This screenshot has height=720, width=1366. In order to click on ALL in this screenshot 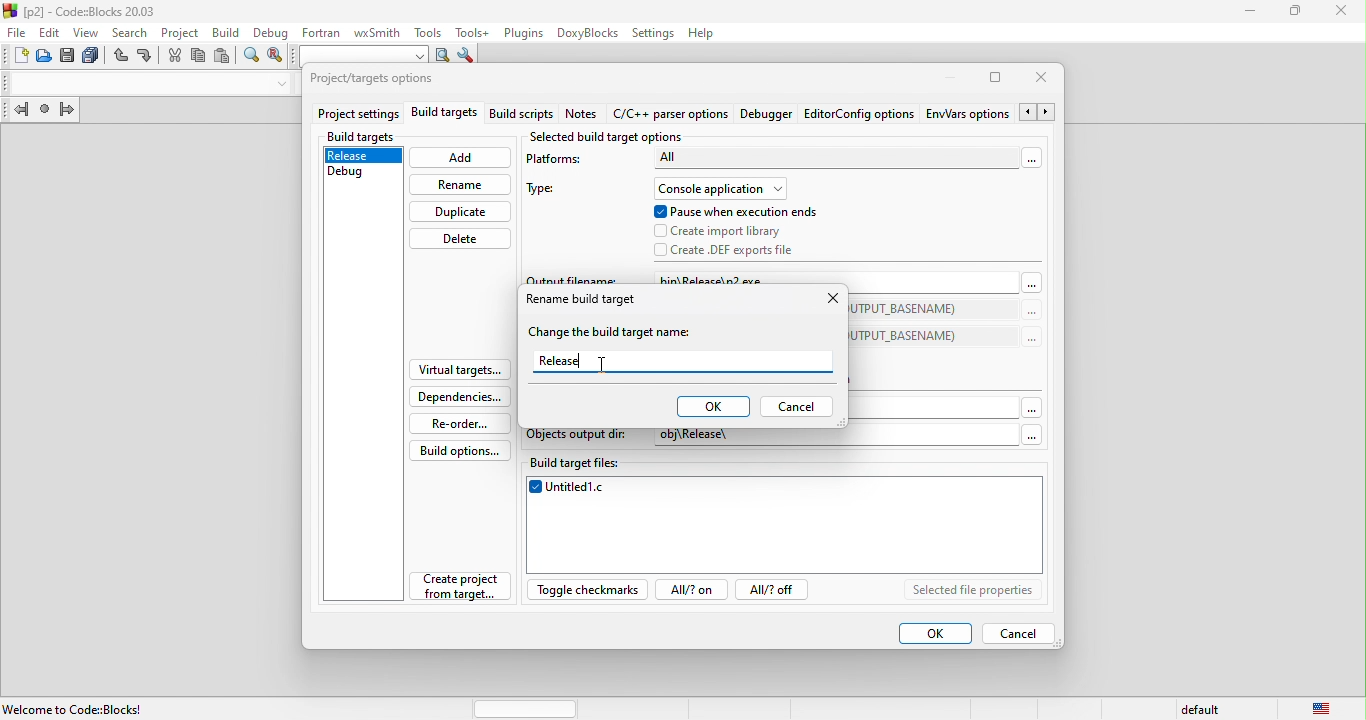, I will do `click(750, 158)`.